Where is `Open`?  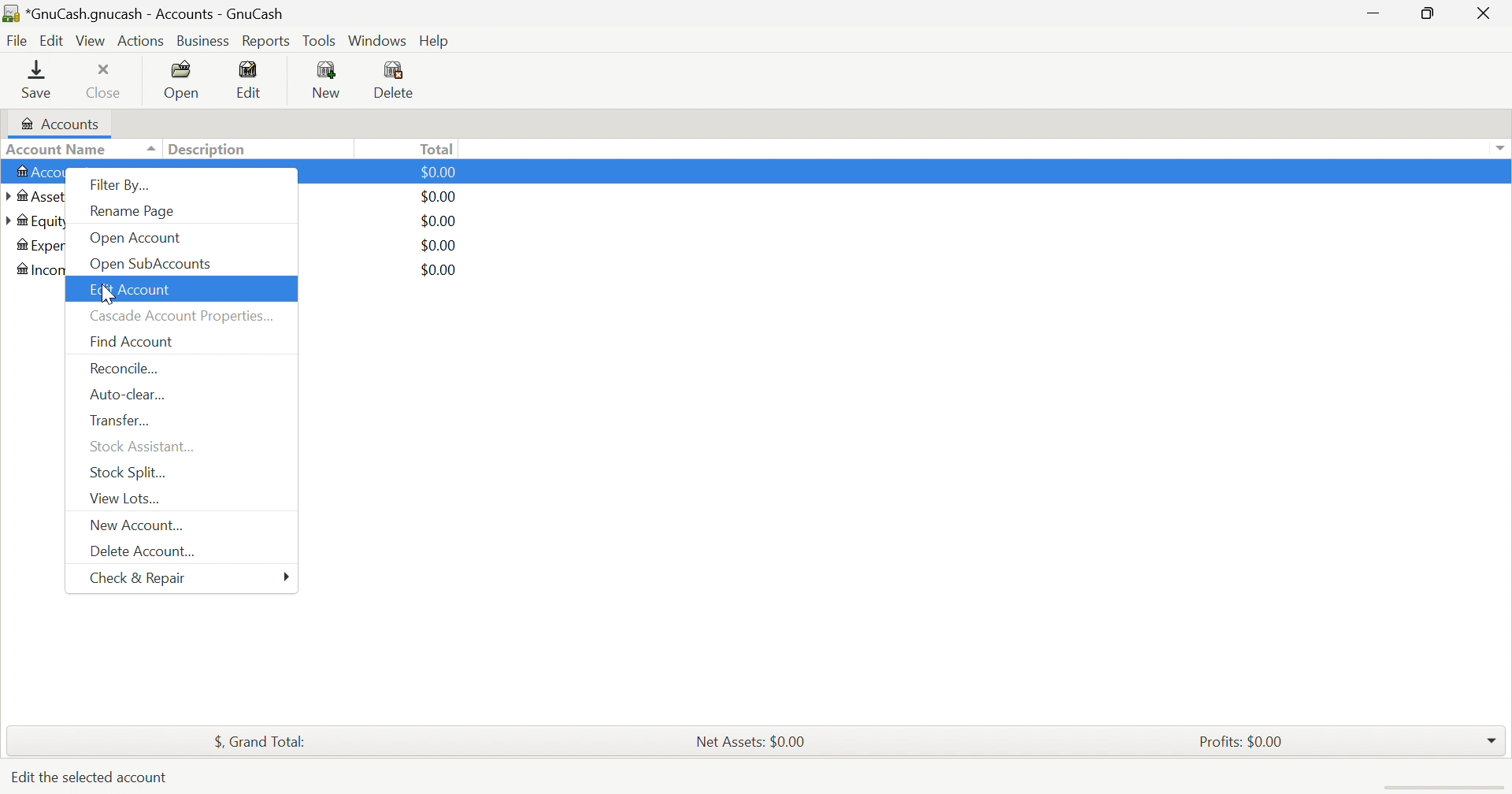
Open is located at coordinates (181, 78).